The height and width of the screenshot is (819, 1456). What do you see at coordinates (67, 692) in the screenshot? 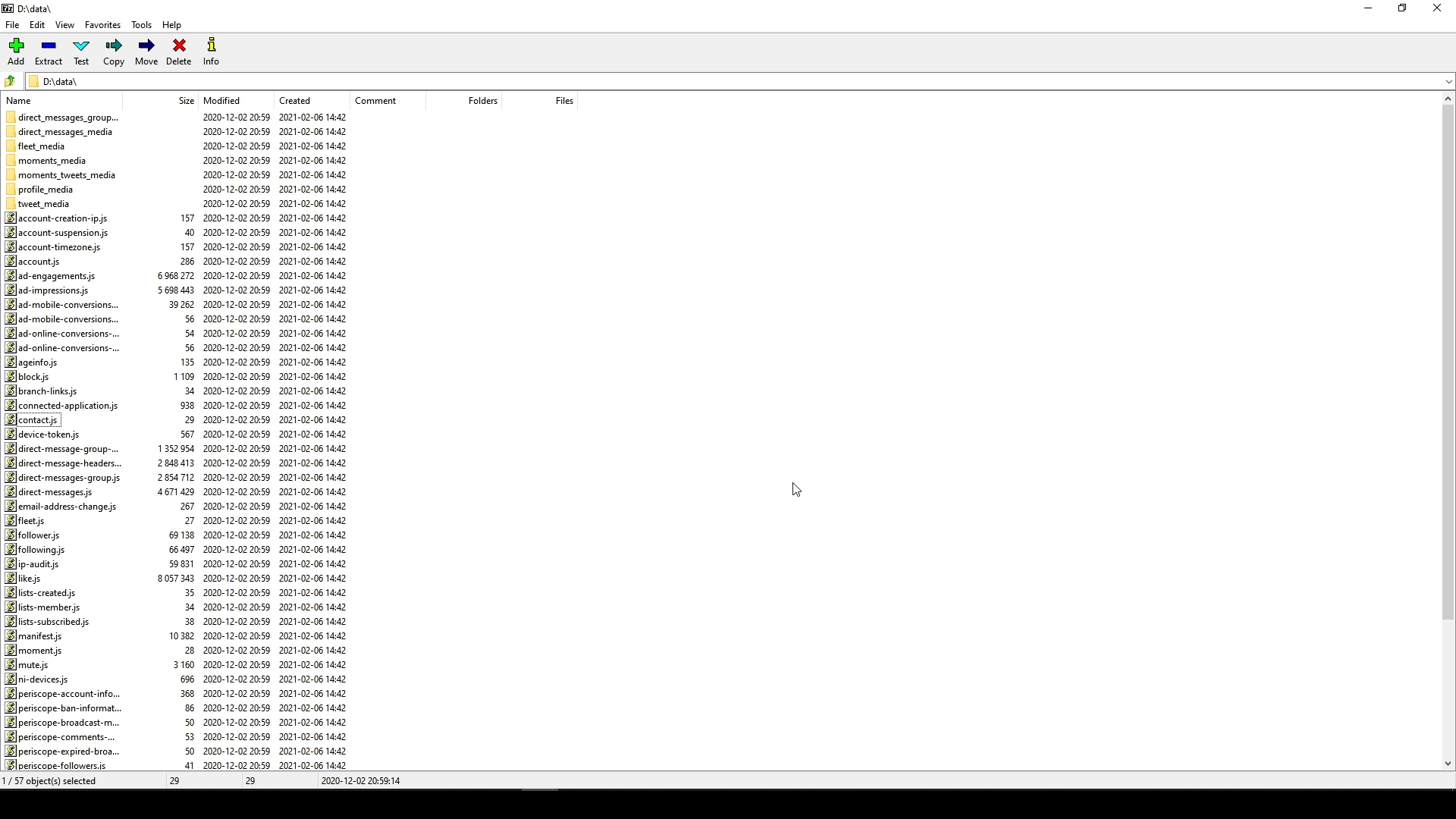
I see `periscope-account-info` at bounding box center [67, 692].